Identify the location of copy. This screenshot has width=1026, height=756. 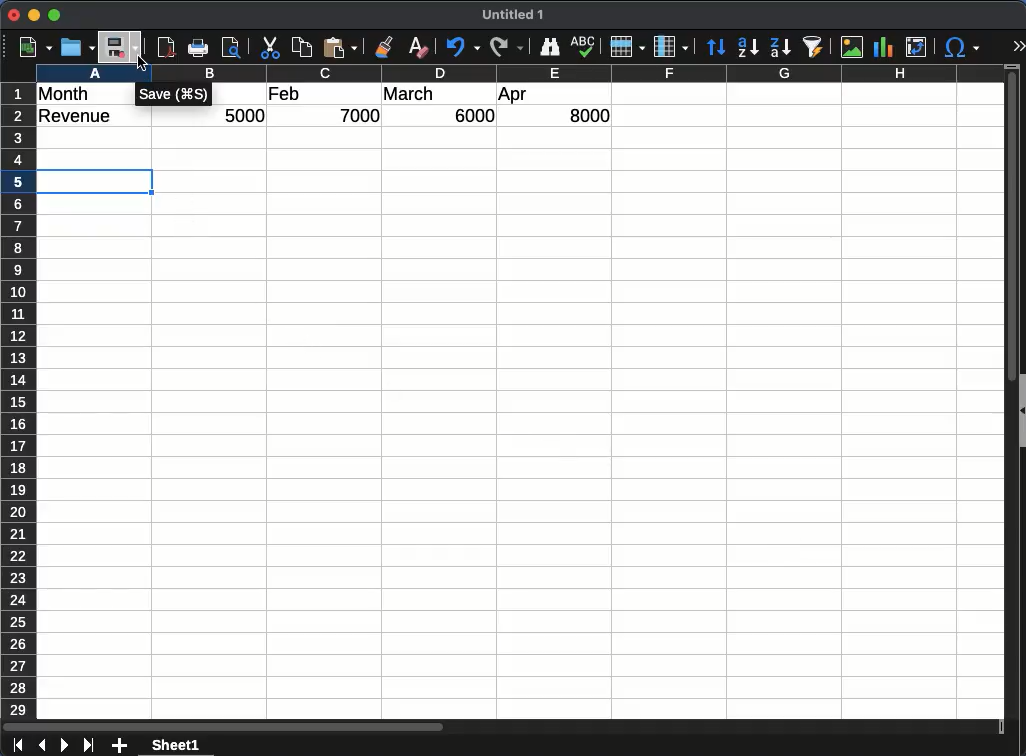
(303, 48).